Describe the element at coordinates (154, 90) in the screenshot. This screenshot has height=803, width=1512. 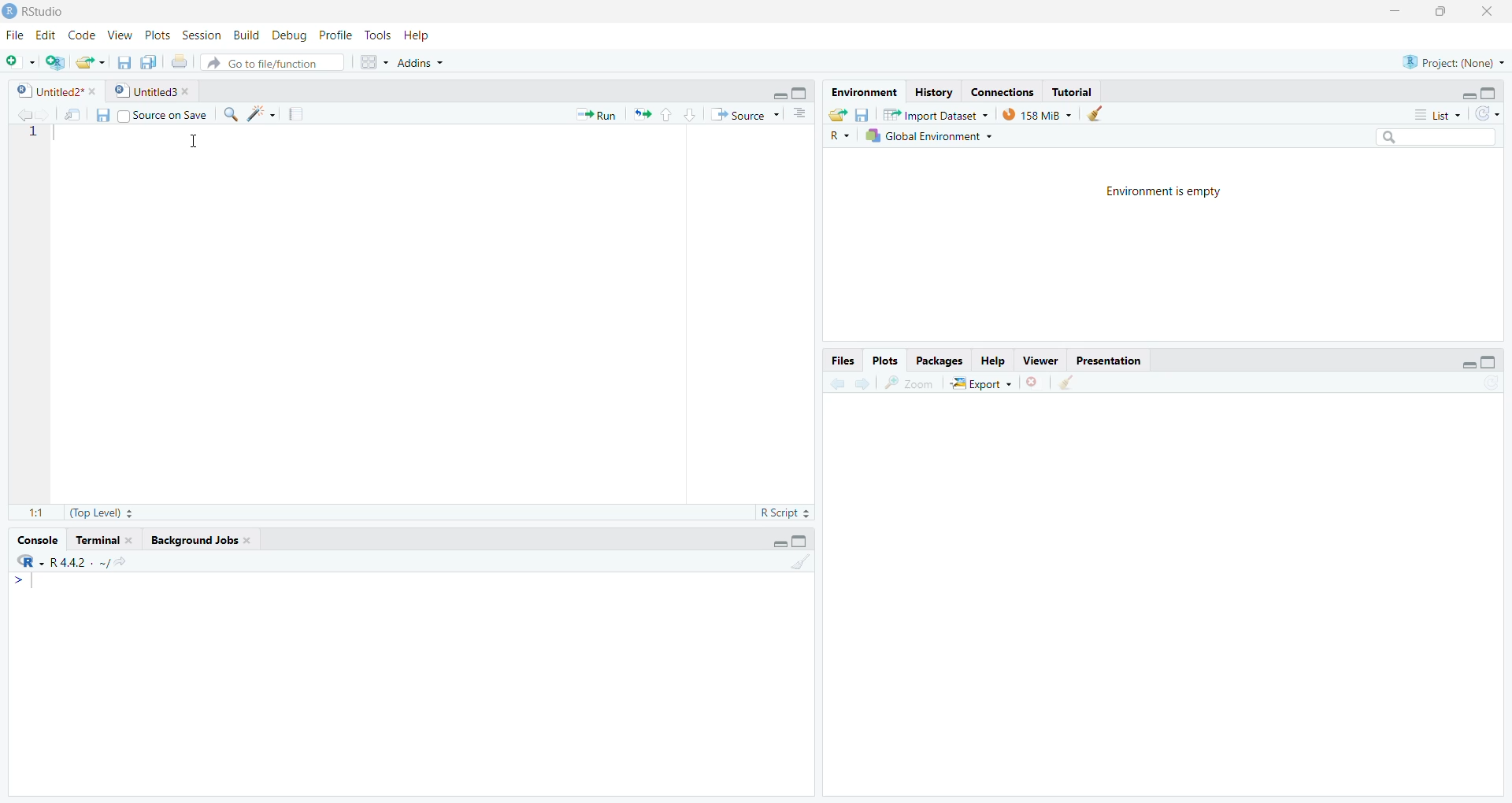
I see `Untitled` at that location.